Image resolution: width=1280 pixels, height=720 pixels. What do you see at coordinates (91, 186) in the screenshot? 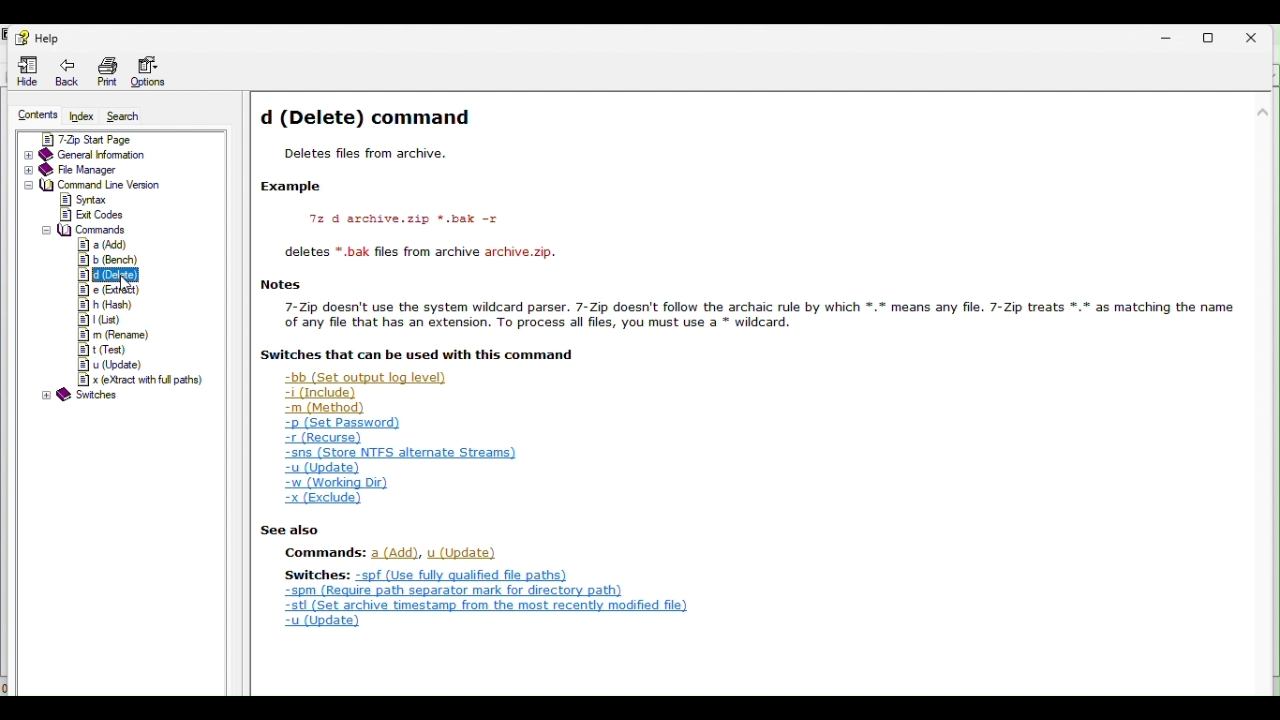
I see `command line` at bounding box center [91, 186].